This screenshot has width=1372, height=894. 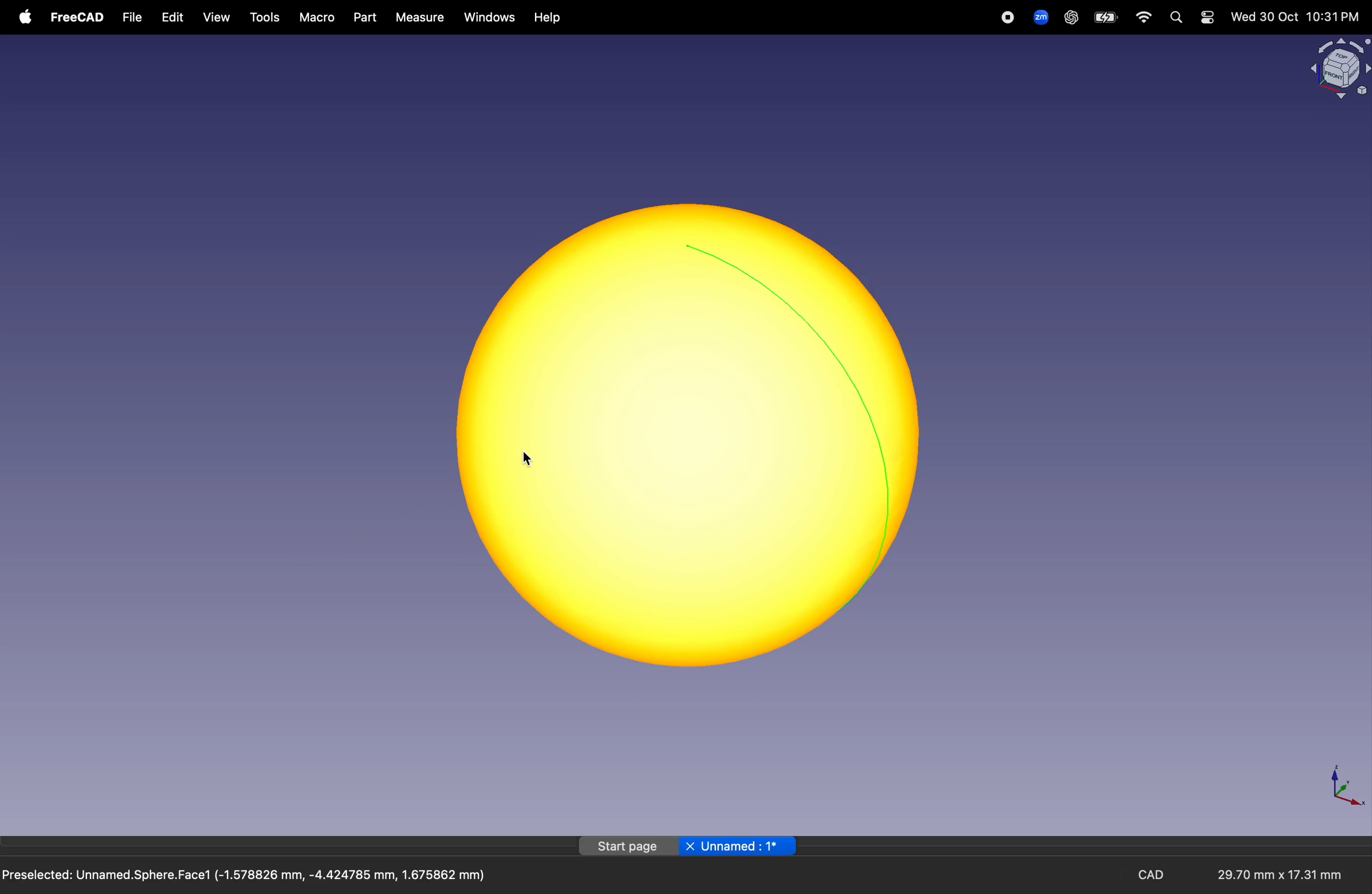 I want to click on windows, so click(x=490, y=17).